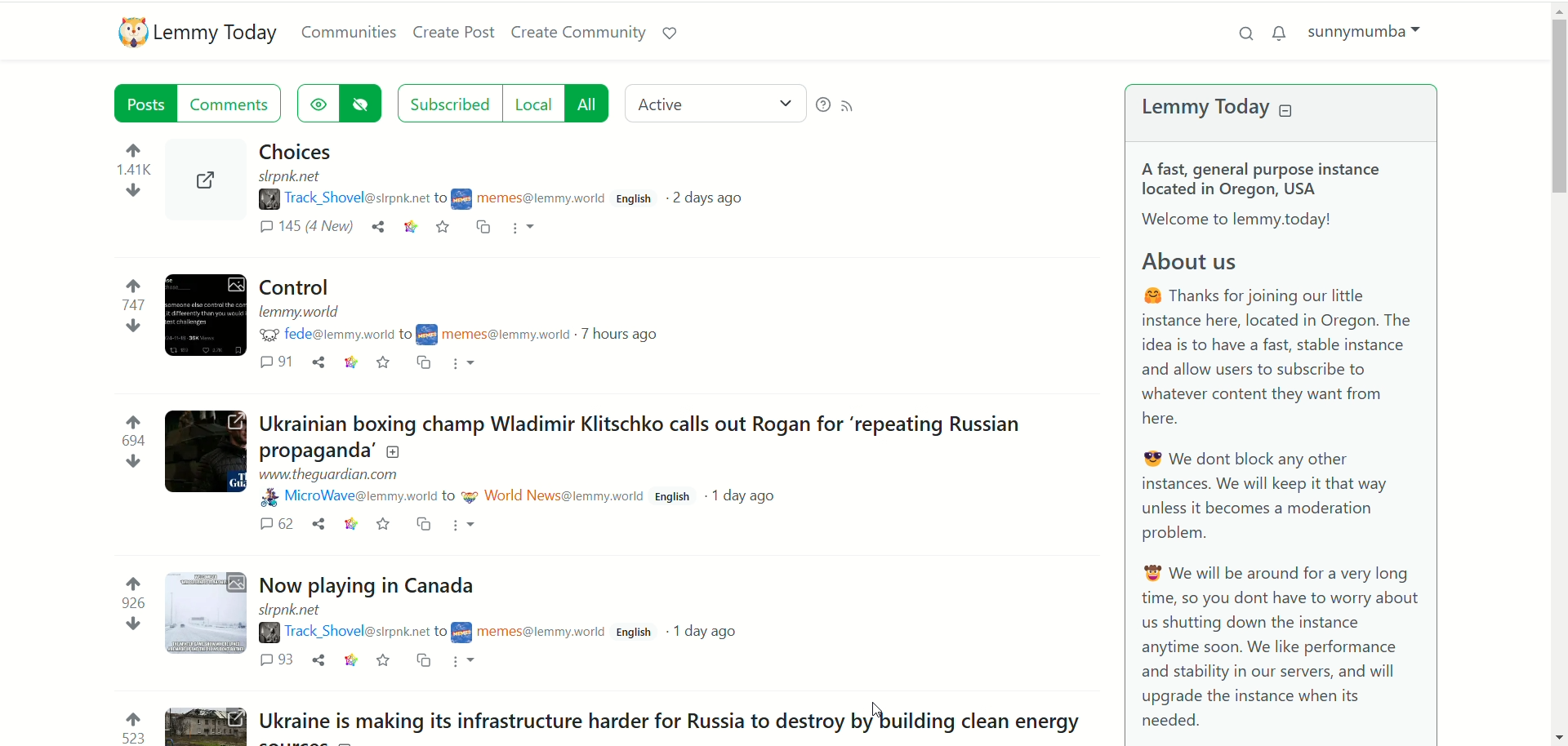 The height and width of the screenshot is (746, 1568). Describe the element at coordinates (706, 196) in the screenshot. I see `2 days ago` at that location.